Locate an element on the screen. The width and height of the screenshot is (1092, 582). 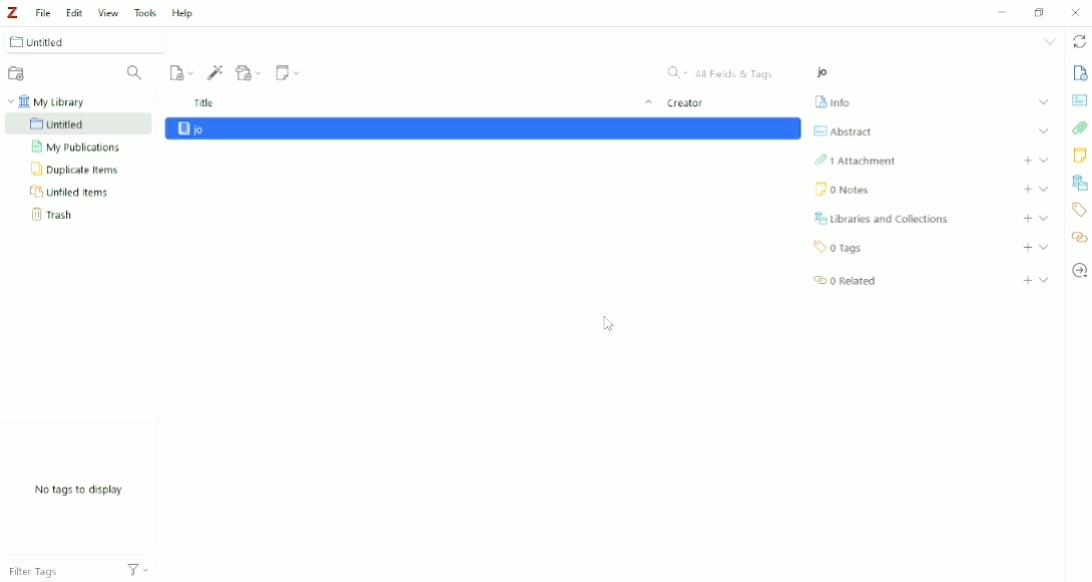
Title is located at coordinates (421, 104).